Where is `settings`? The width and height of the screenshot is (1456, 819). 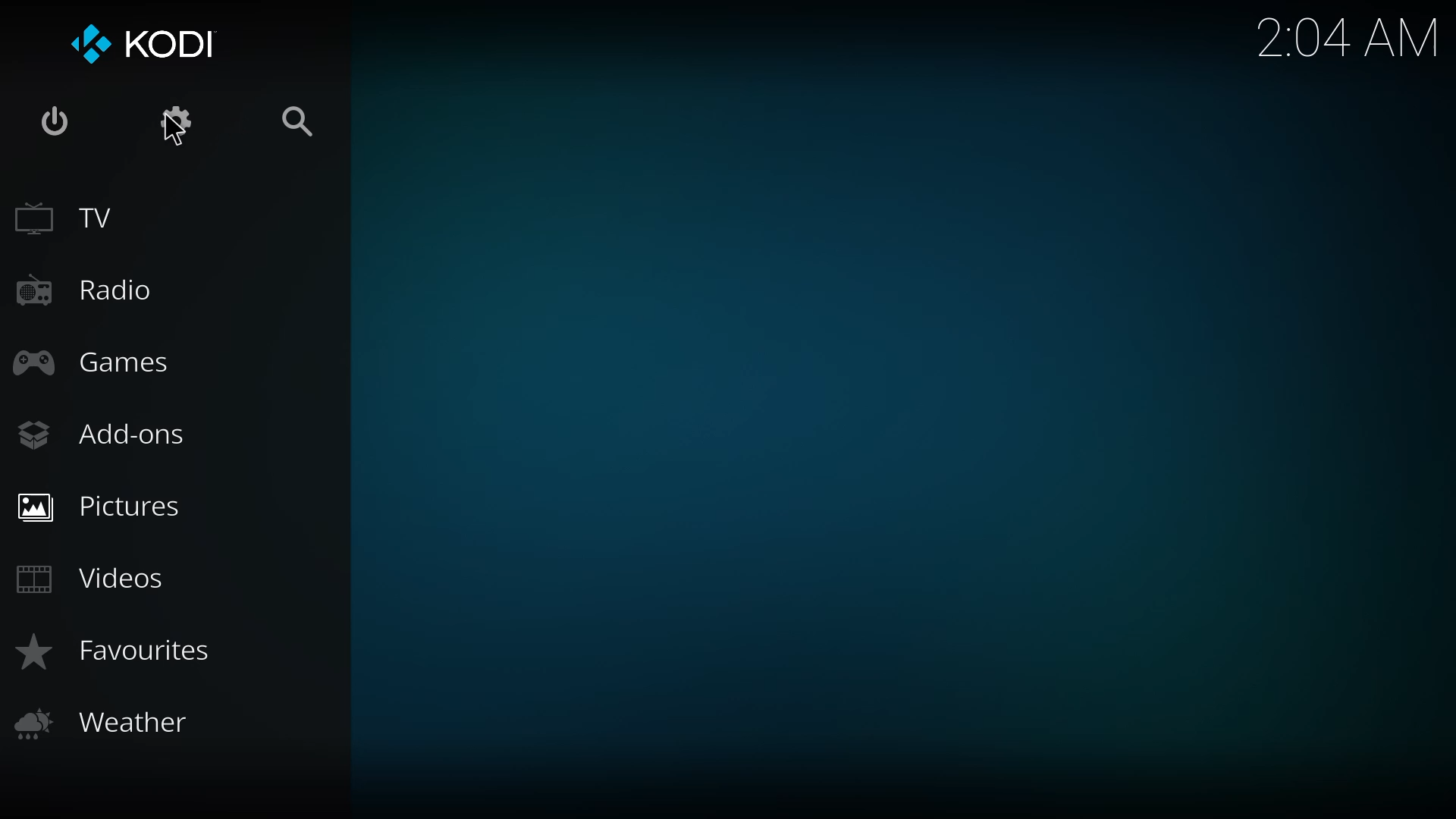 settings is located at coordinates (175, 121).